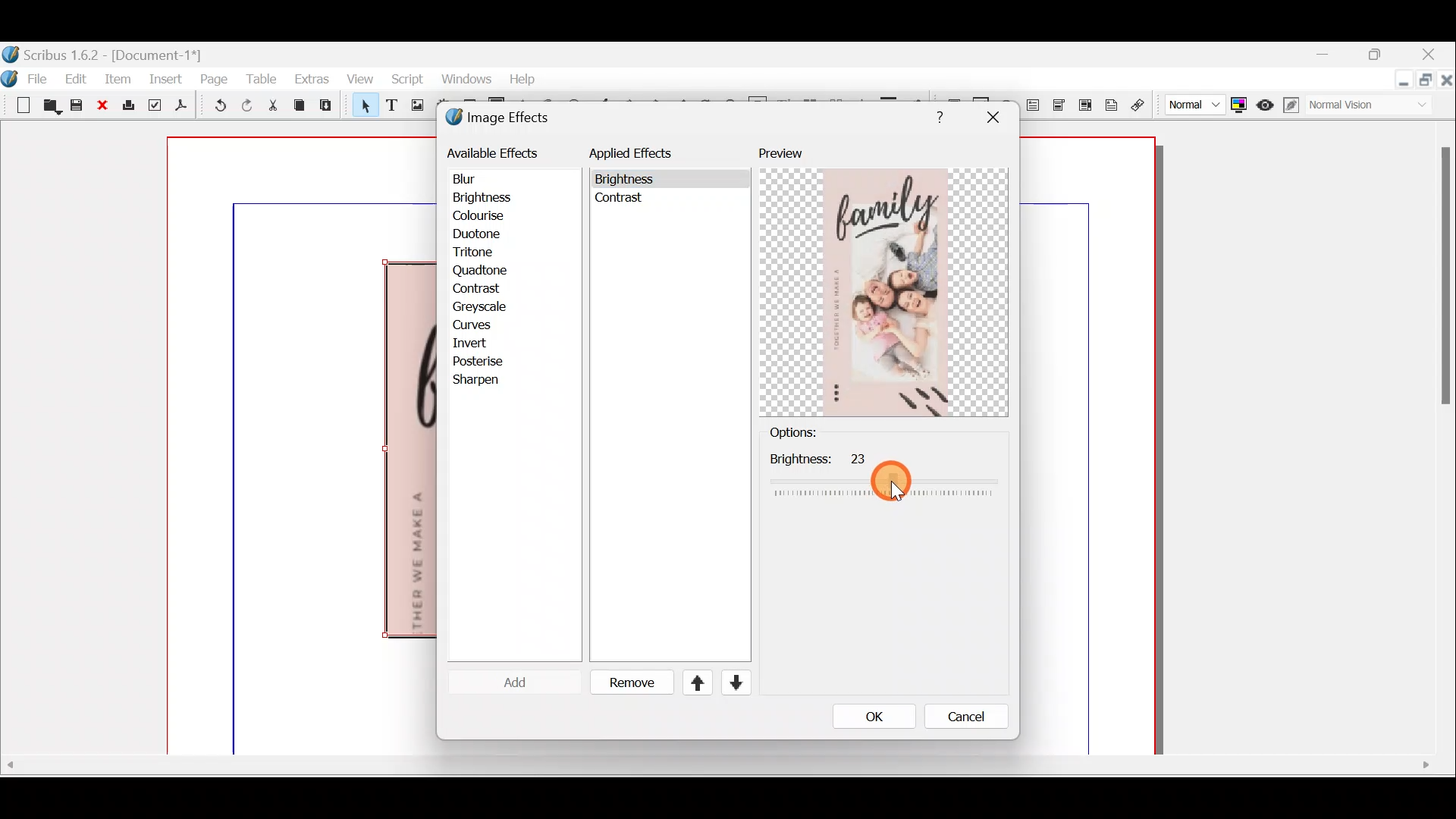  What do you see at coordinates (362, 108) in the screenshot?
I see `Select item` at bounding box center [362, 108].